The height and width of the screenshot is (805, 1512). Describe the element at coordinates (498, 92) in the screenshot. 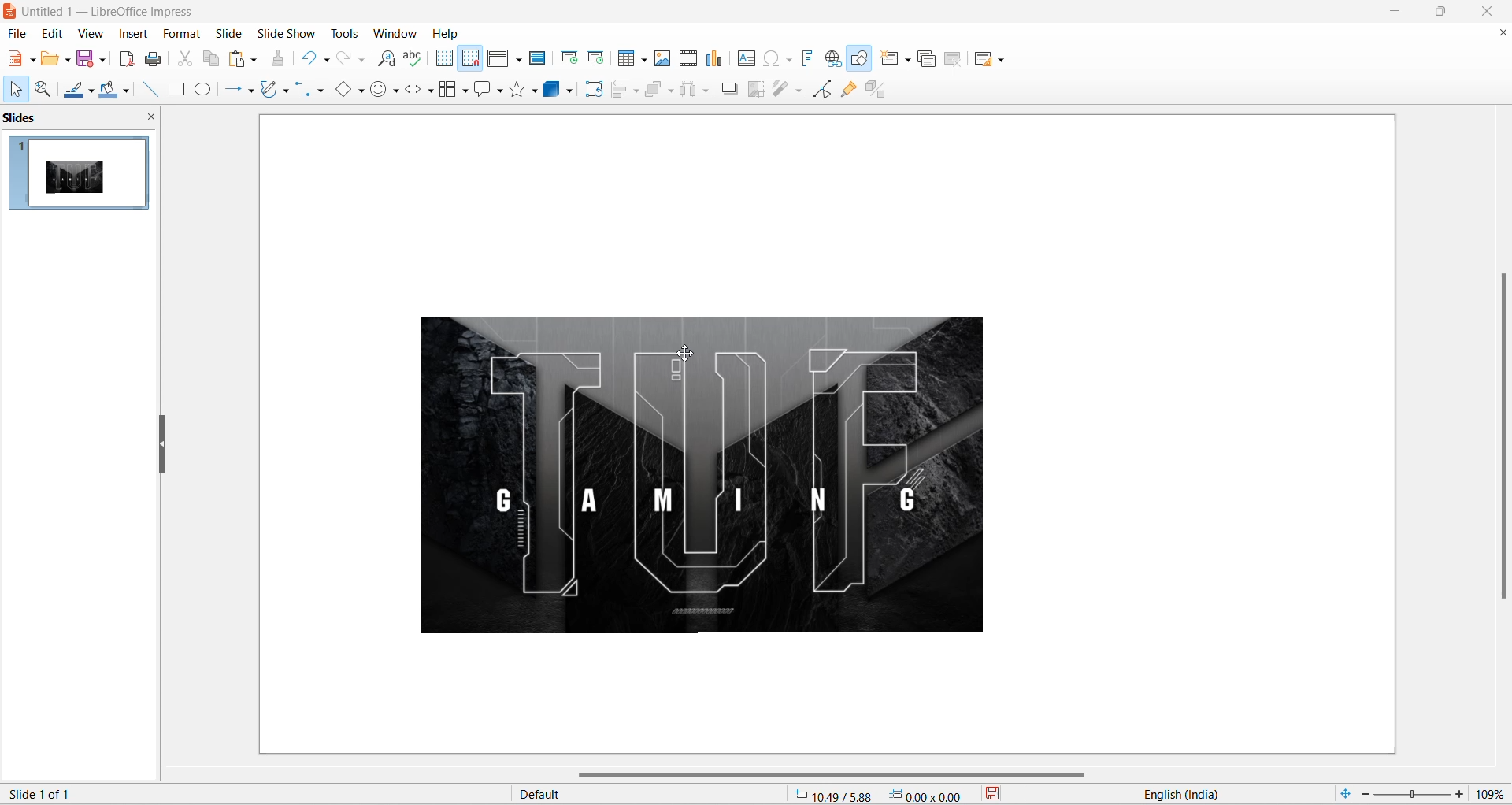

I see `callout shapes options` at that location.